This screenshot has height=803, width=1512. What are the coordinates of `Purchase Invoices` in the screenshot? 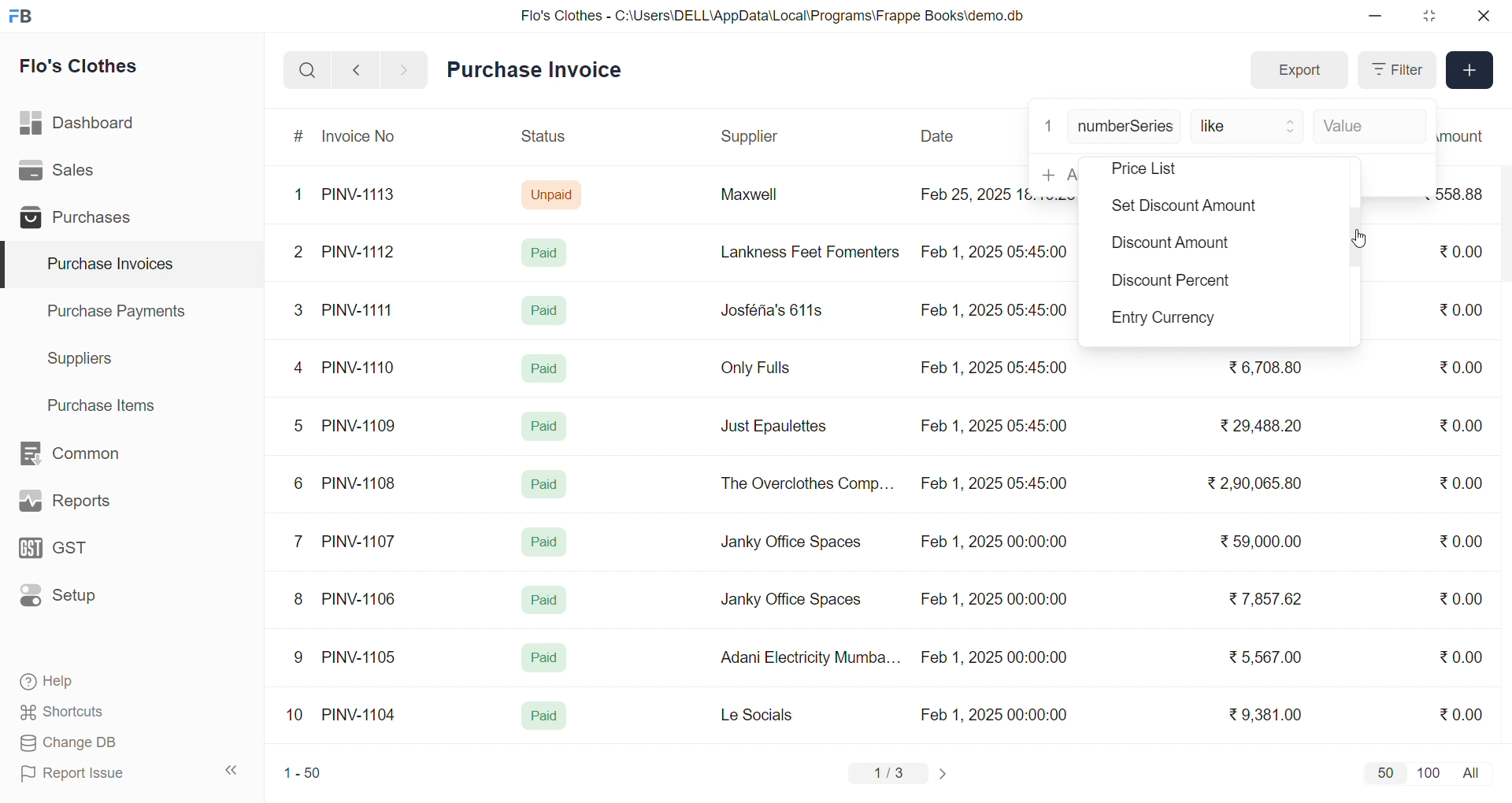 It's located at (108, 265).